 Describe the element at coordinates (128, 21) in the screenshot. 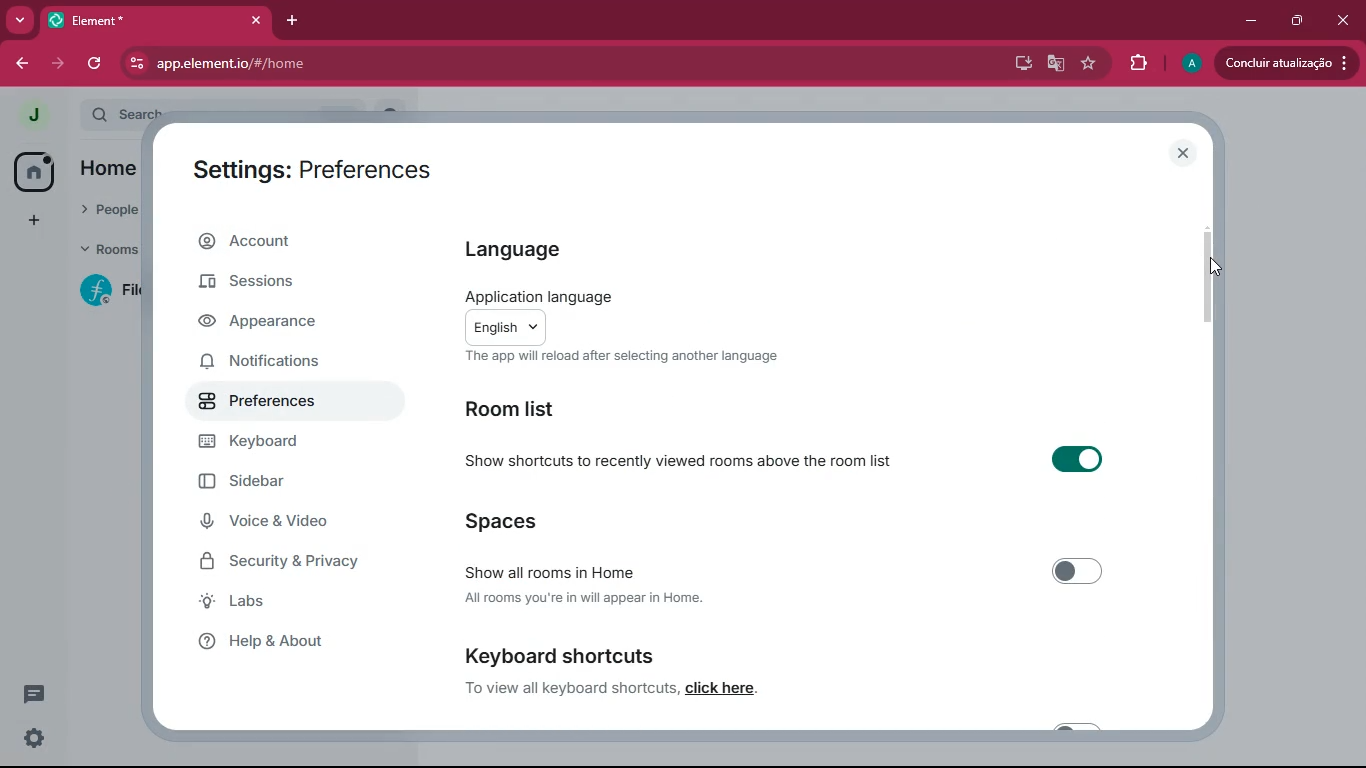

I see `tab` at that location.